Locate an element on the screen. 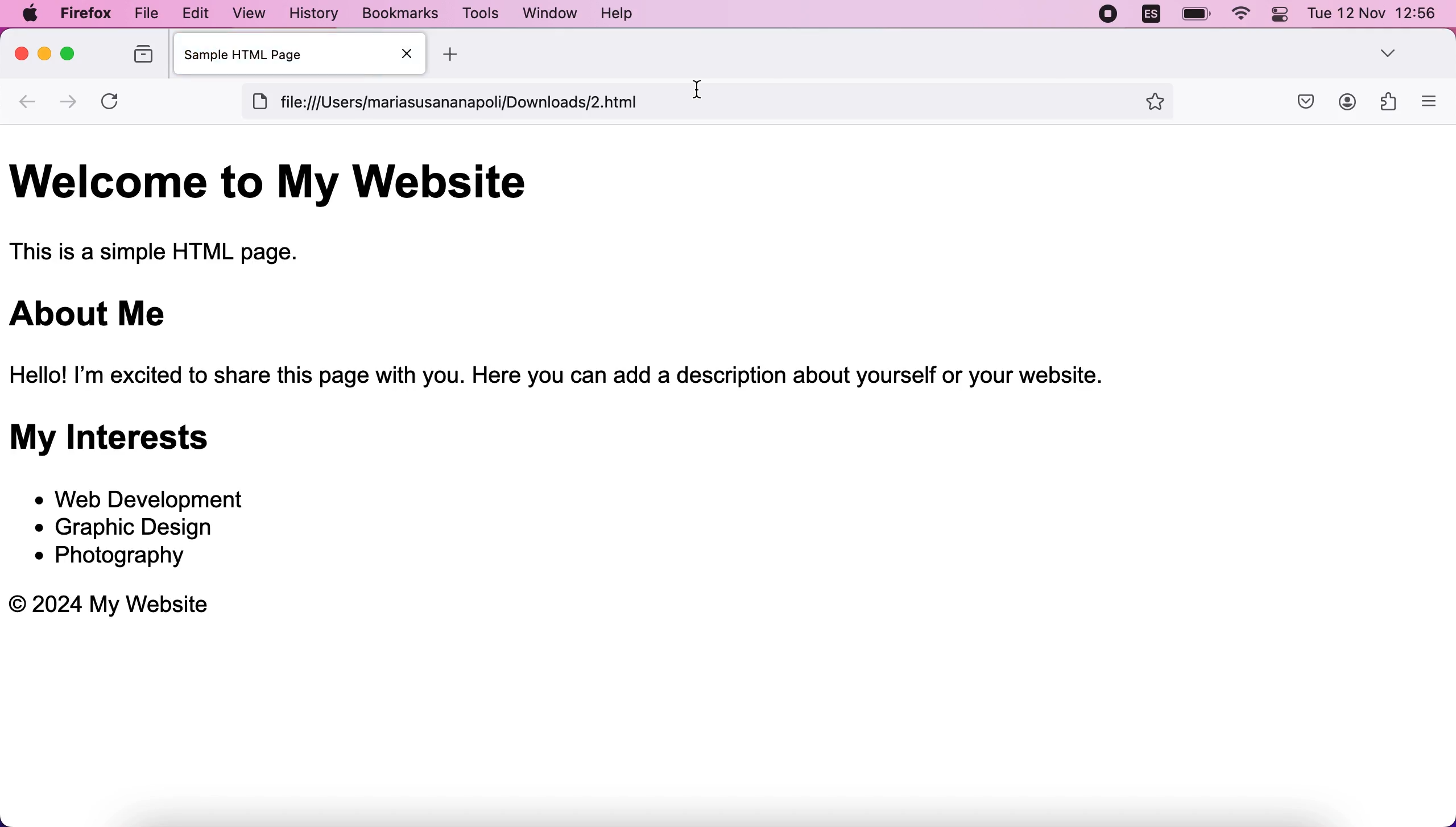  Tue 12 Nov 12:56 is located at coordinates (1370, 17).